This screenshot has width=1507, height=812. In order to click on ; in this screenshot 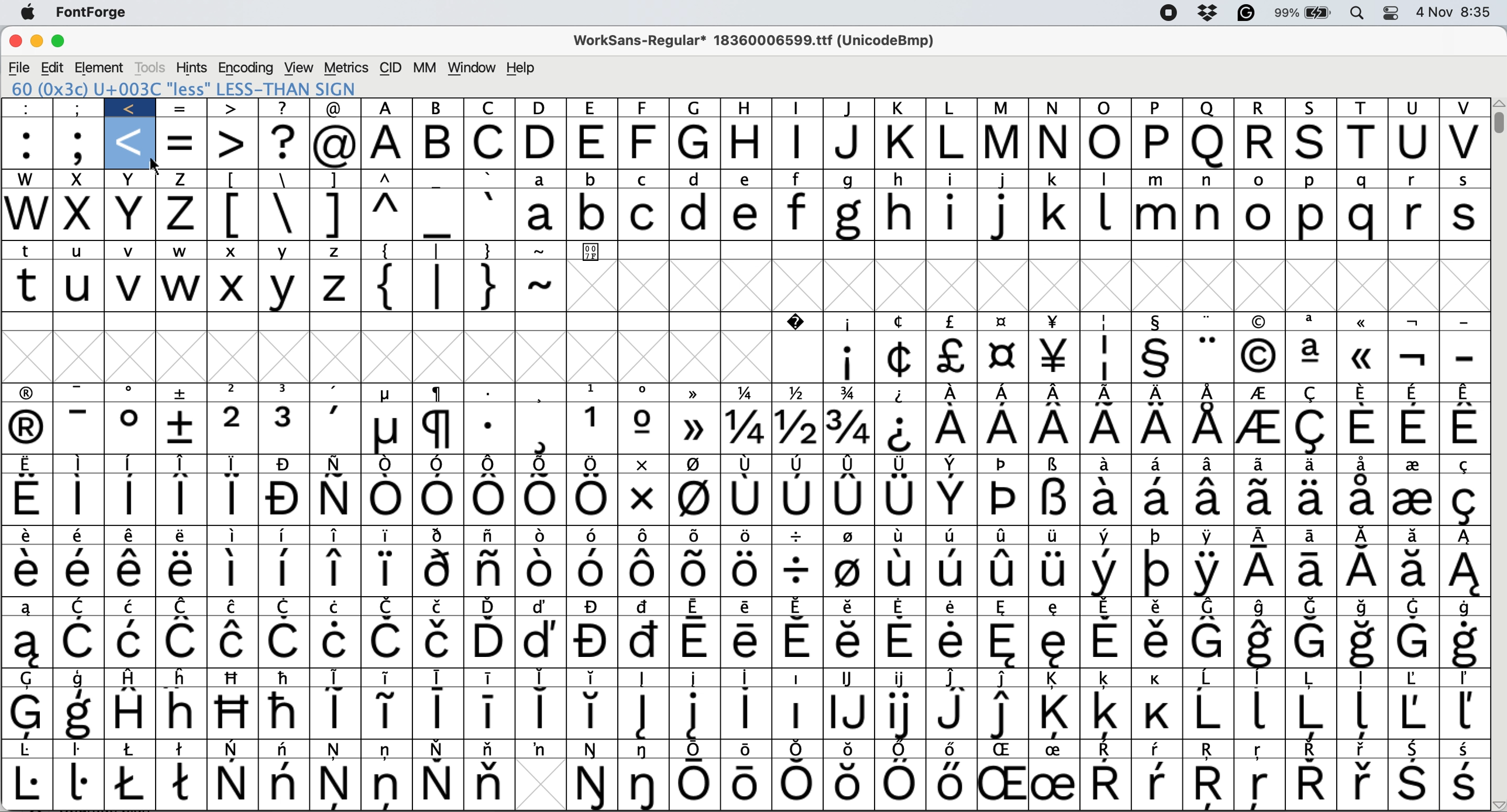, I will do `click(78, 108)`.